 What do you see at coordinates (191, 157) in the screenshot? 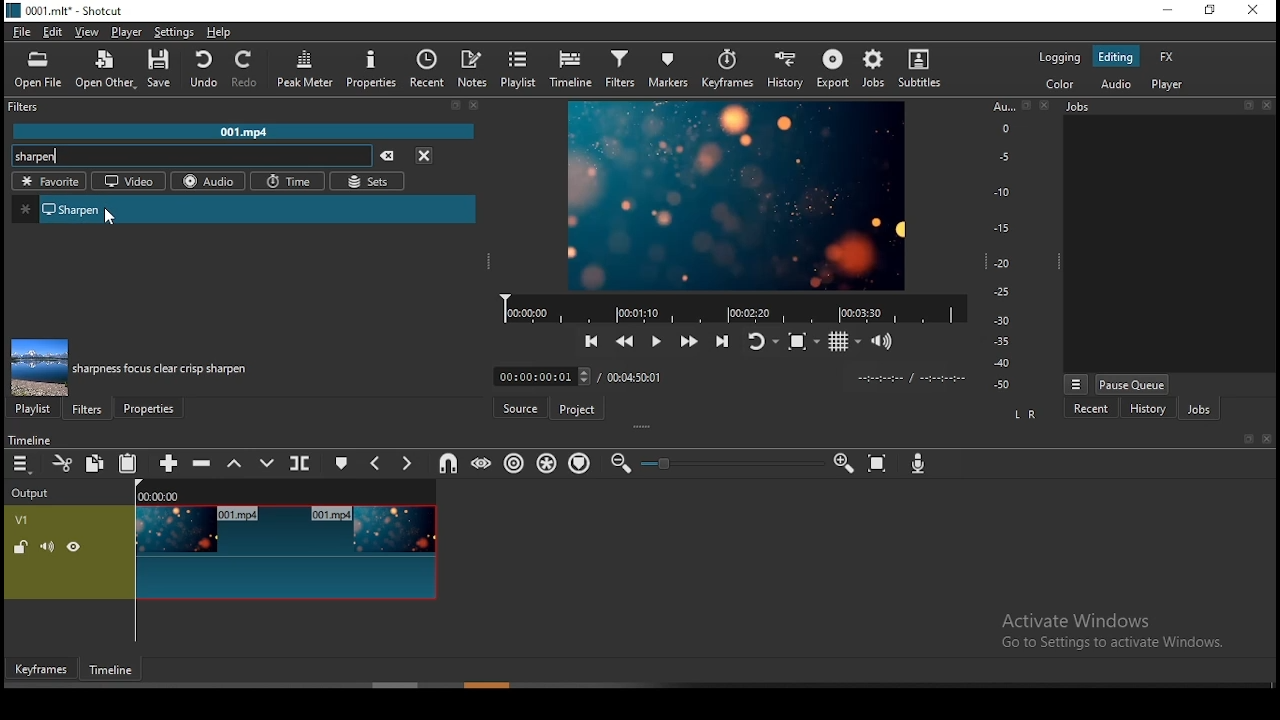
I see `search filters` at bounding box center [191, 157].